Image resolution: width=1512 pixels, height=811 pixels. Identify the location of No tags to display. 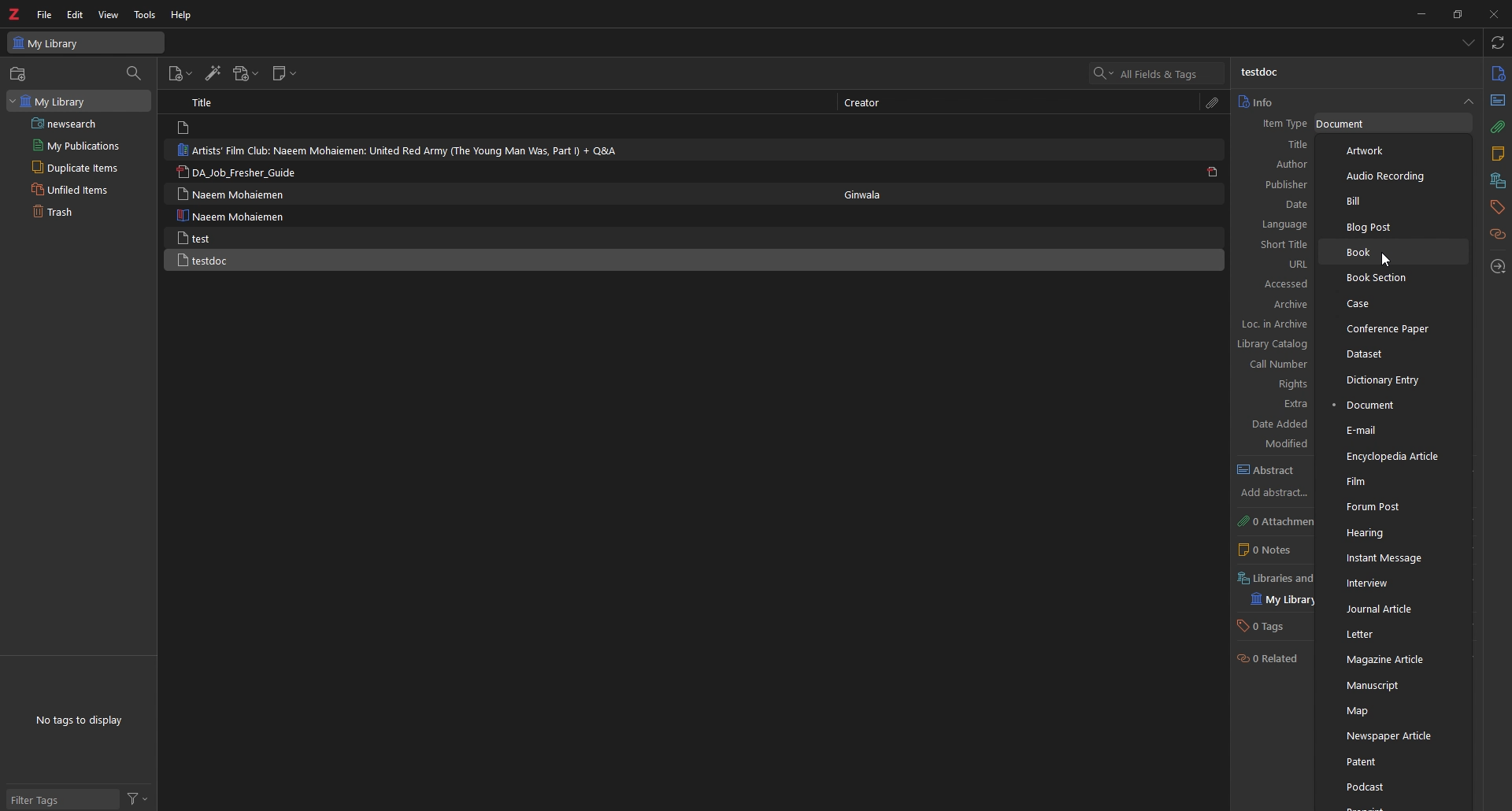
(83, 720).